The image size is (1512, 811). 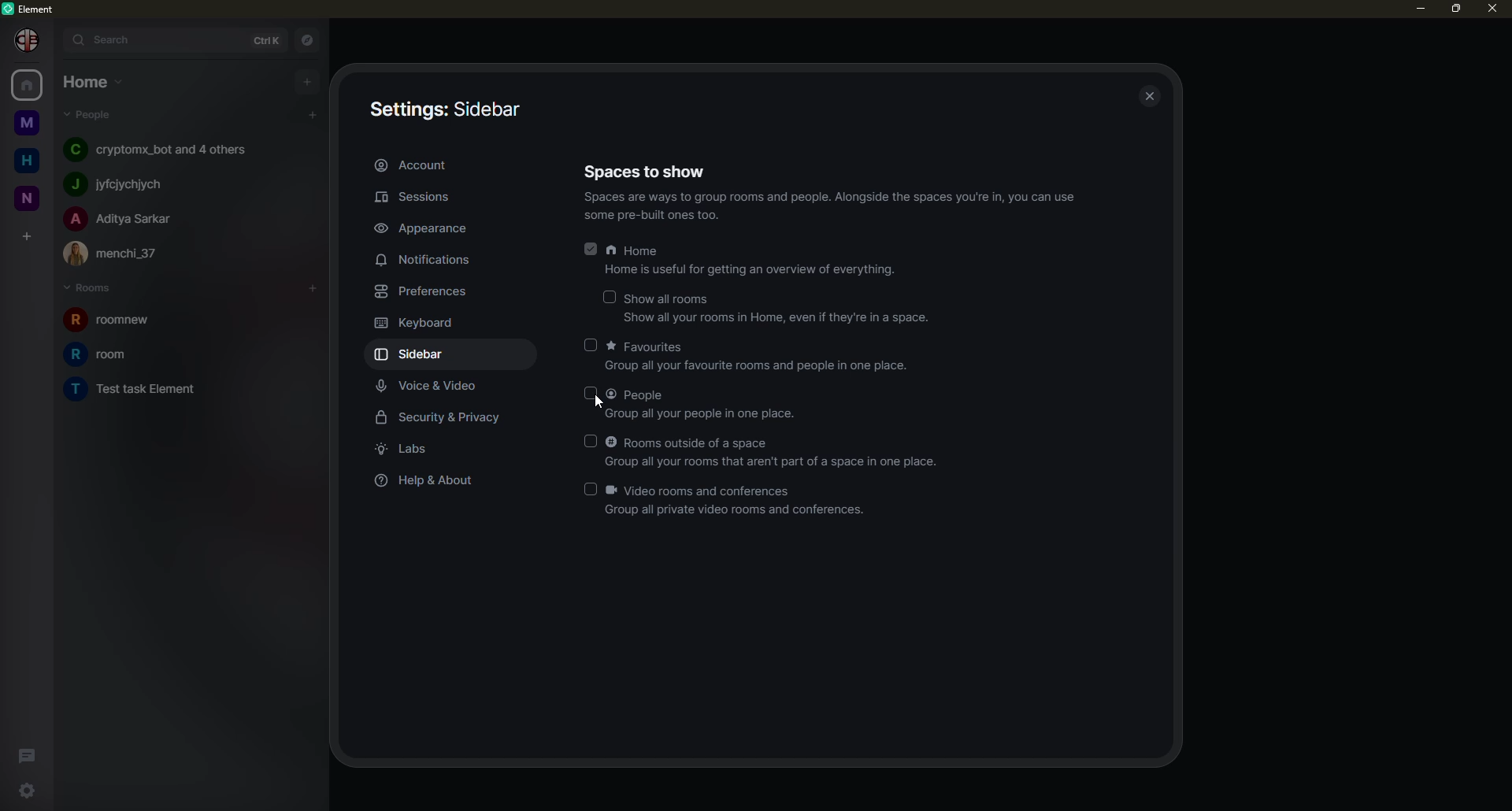 What do you see at coordinates (120, 218) in the screenshot?
I see `people` at bounding box center [120, 218].